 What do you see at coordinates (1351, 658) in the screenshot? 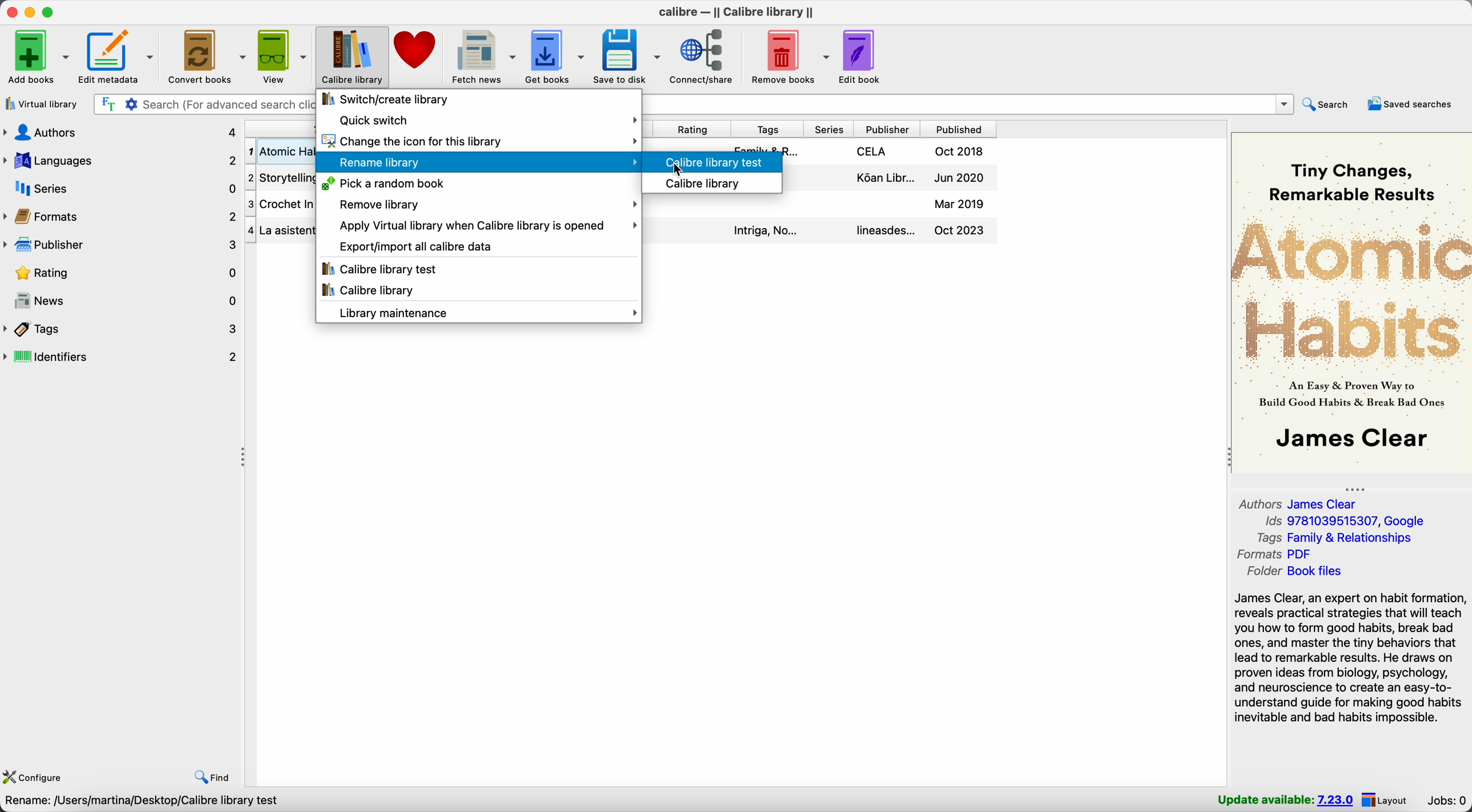
I see `James Clear, an expert on habit formation, reveals practical strategies that will teach you how to form good habits, break bad ones, and master the tiny behaviors...` at bounding box center [1351, 658].